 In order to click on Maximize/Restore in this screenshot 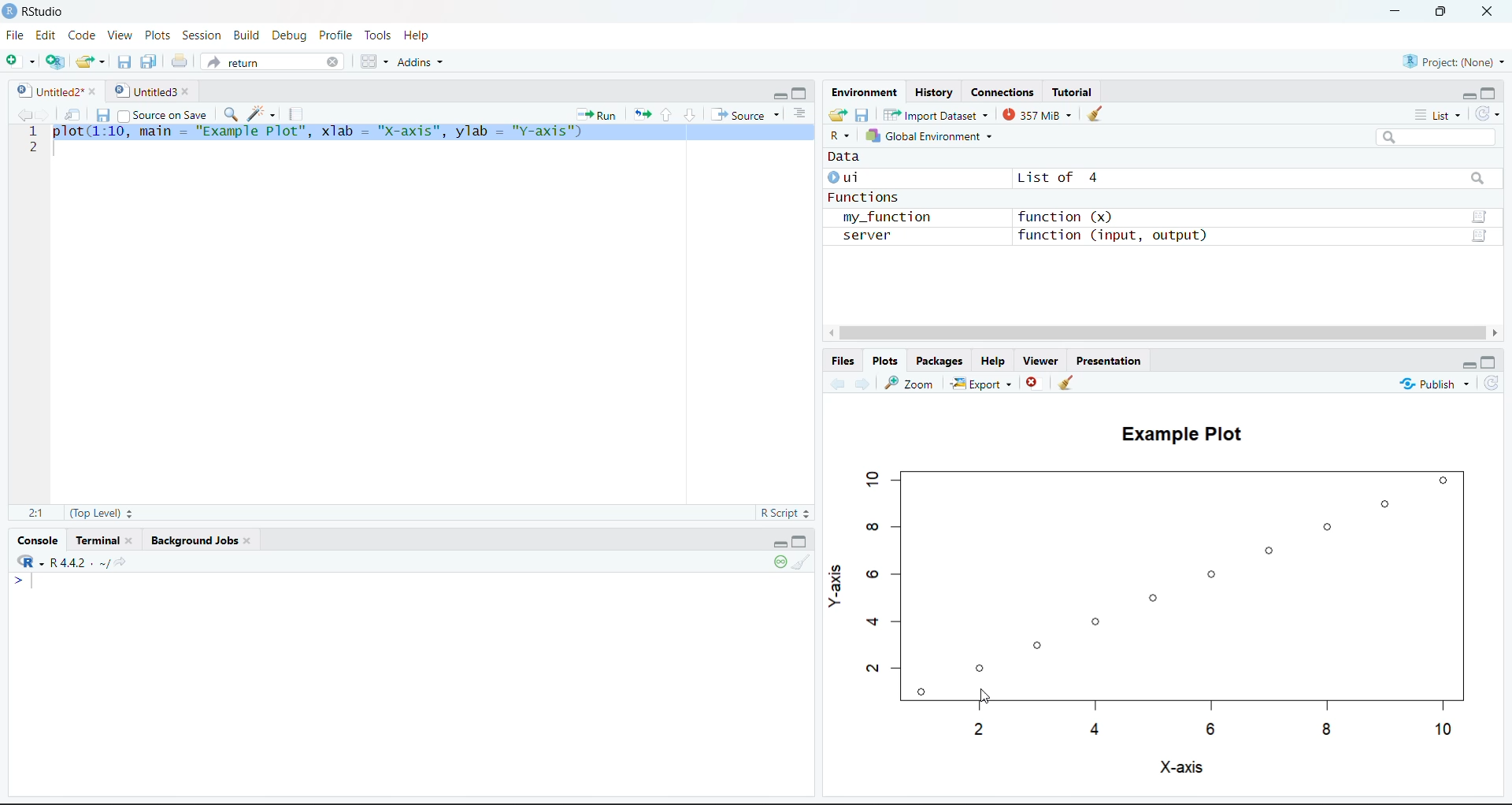, I will do `click(1489, 92)`.